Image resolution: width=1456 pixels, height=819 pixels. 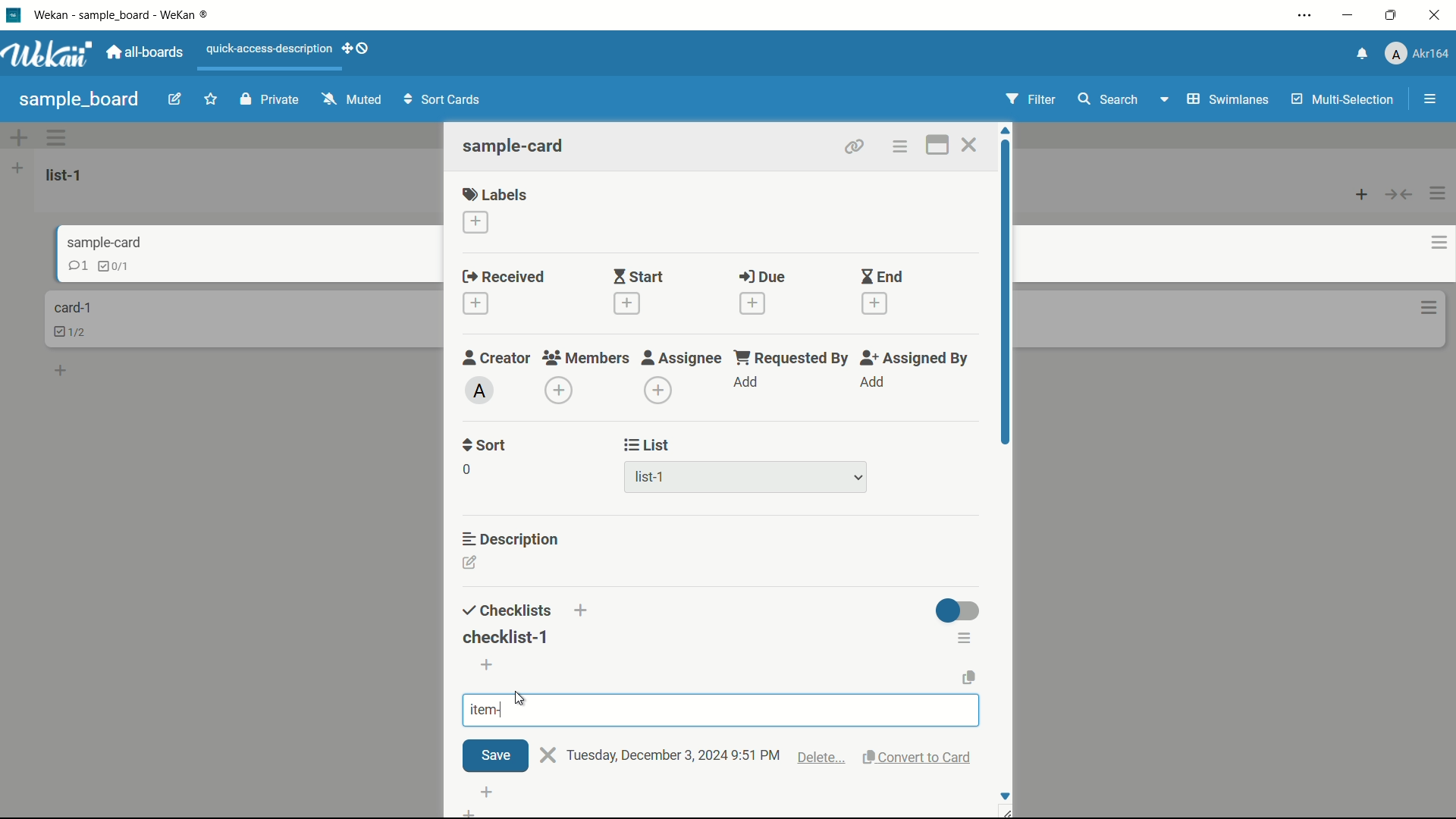 What do you see at coordinates (17, 168) in the screenshot?
I see `list actions` at bounding box center [17, 168].